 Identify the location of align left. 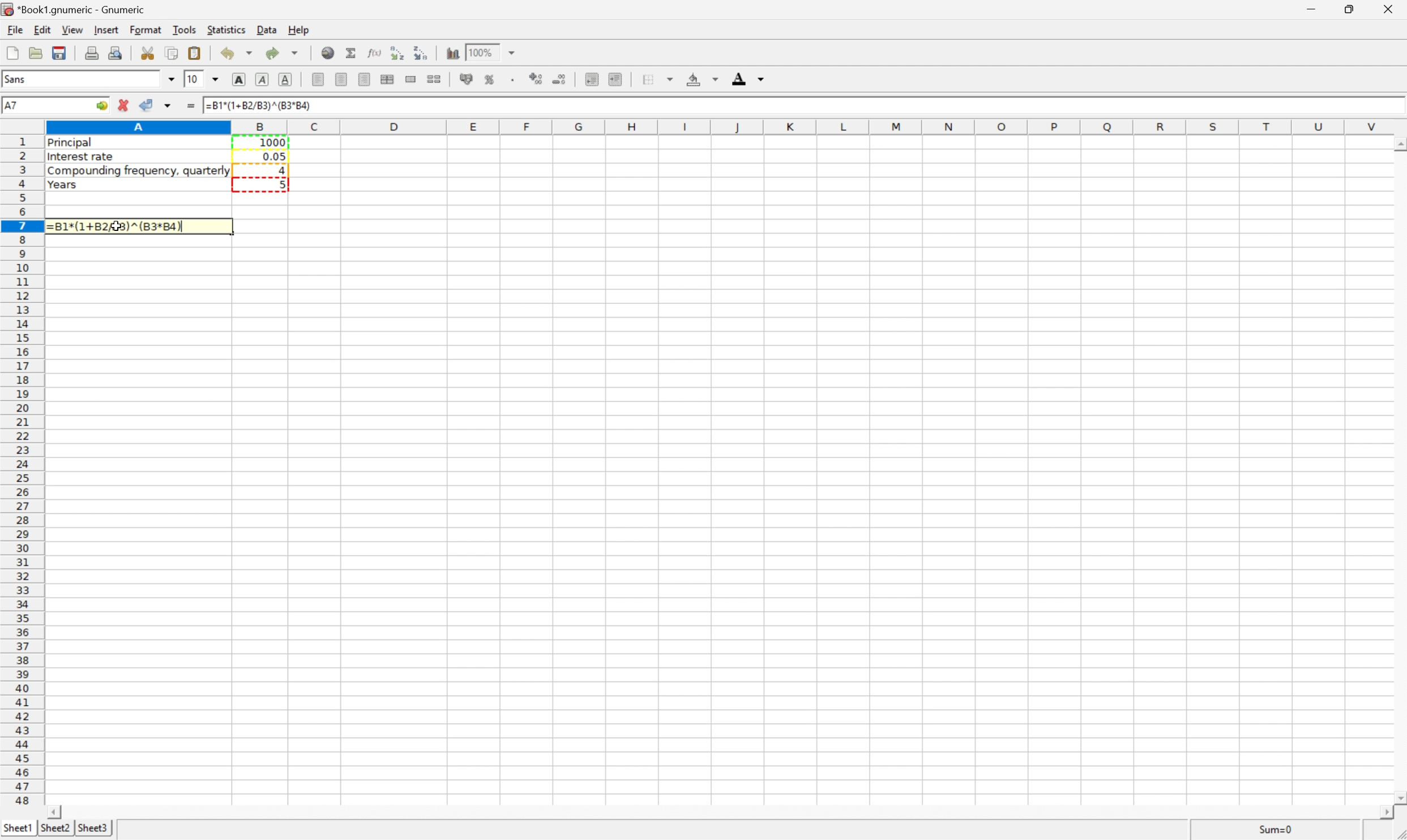
(318, 78).